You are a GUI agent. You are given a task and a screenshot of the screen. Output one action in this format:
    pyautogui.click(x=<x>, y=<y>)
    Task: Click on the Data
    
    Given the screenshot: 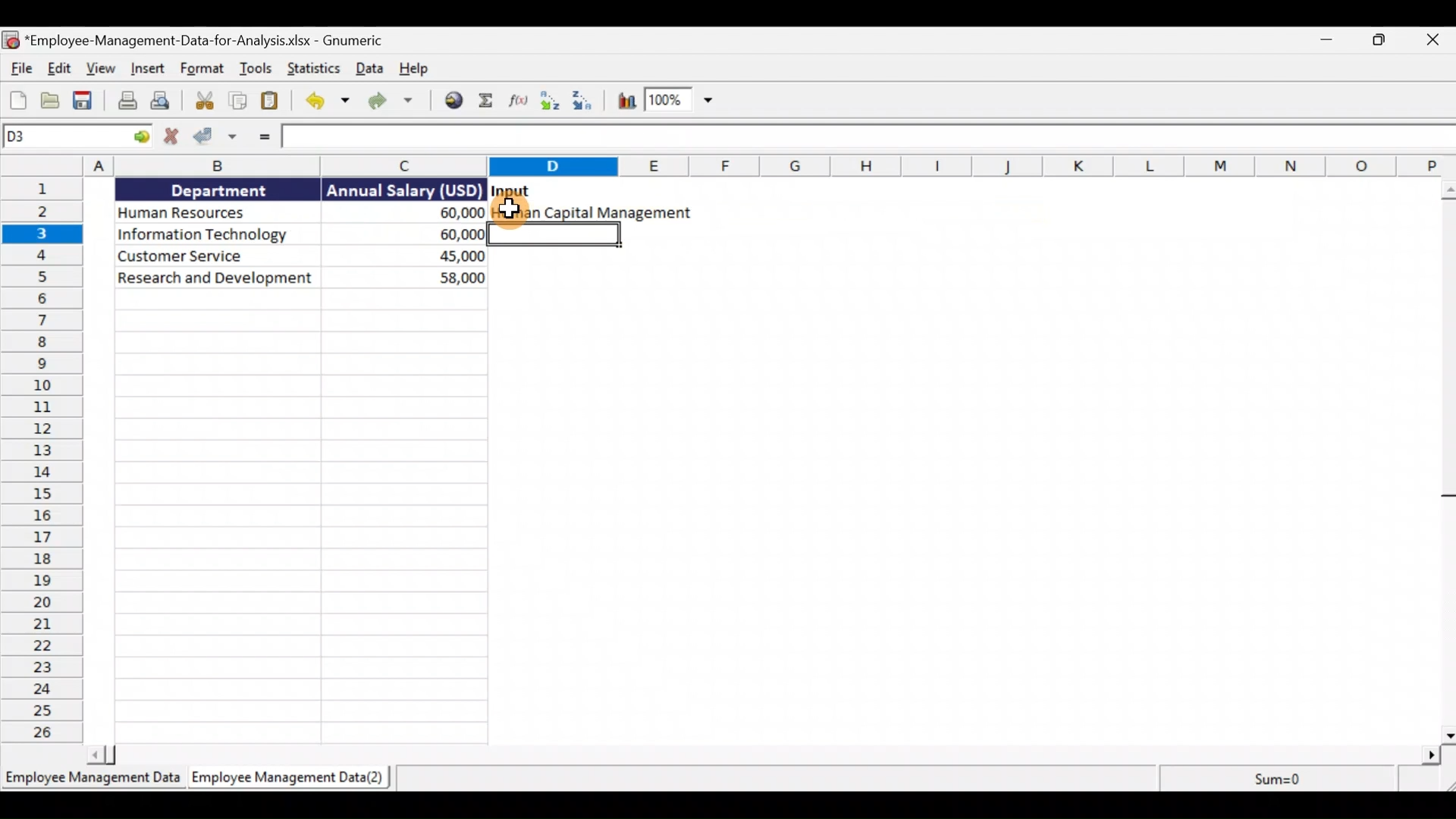 What is the action you would take?
    pyautogui.click(x=372, y=70)
    